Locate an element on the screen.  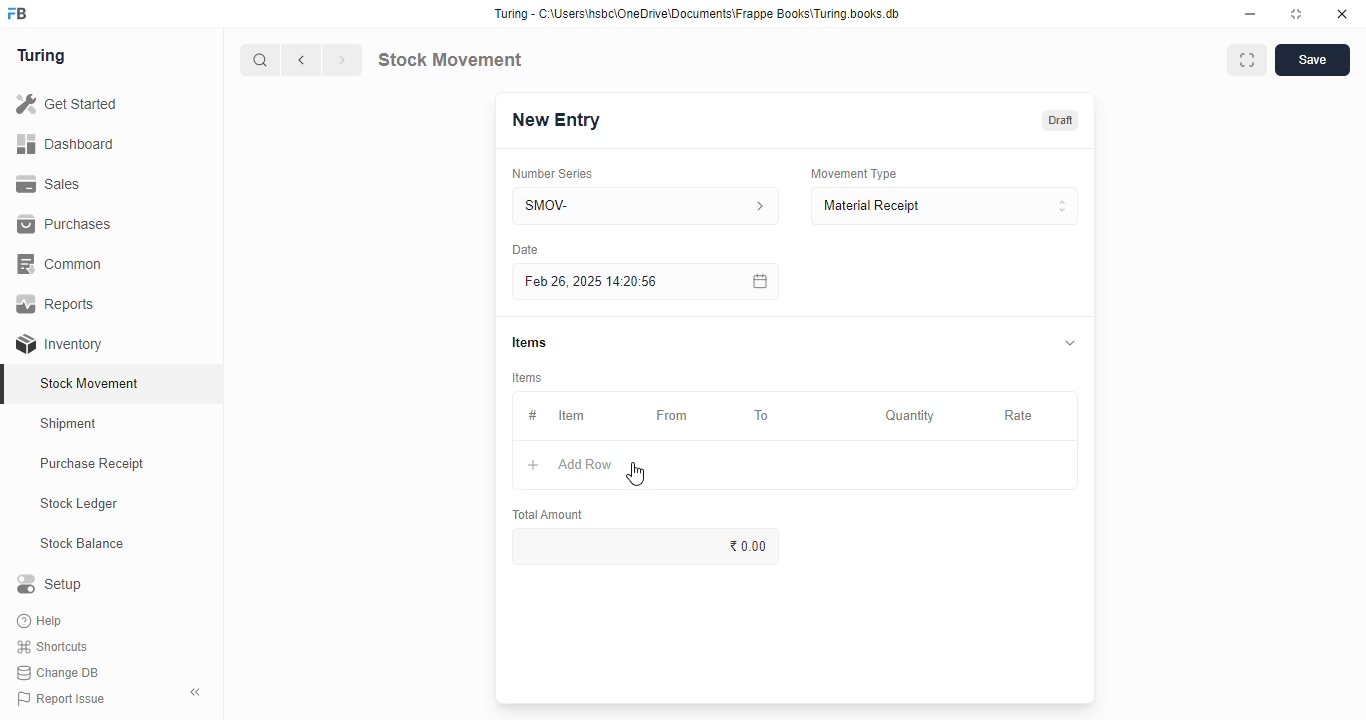
previous is located at coordinates (302, 60).